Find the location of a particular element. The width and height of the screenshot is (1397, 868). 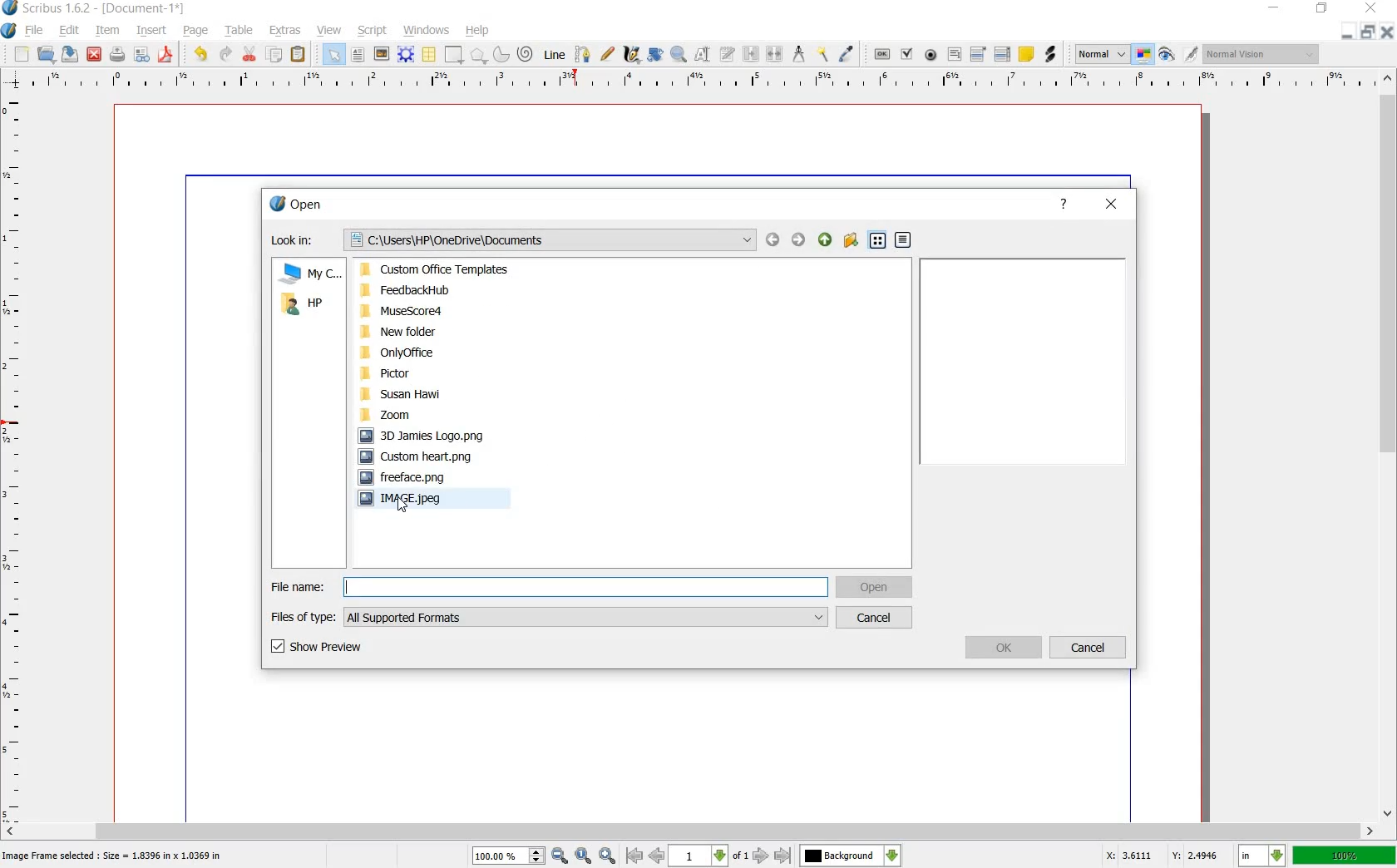

Pictor is located at coordinates (390, 373).